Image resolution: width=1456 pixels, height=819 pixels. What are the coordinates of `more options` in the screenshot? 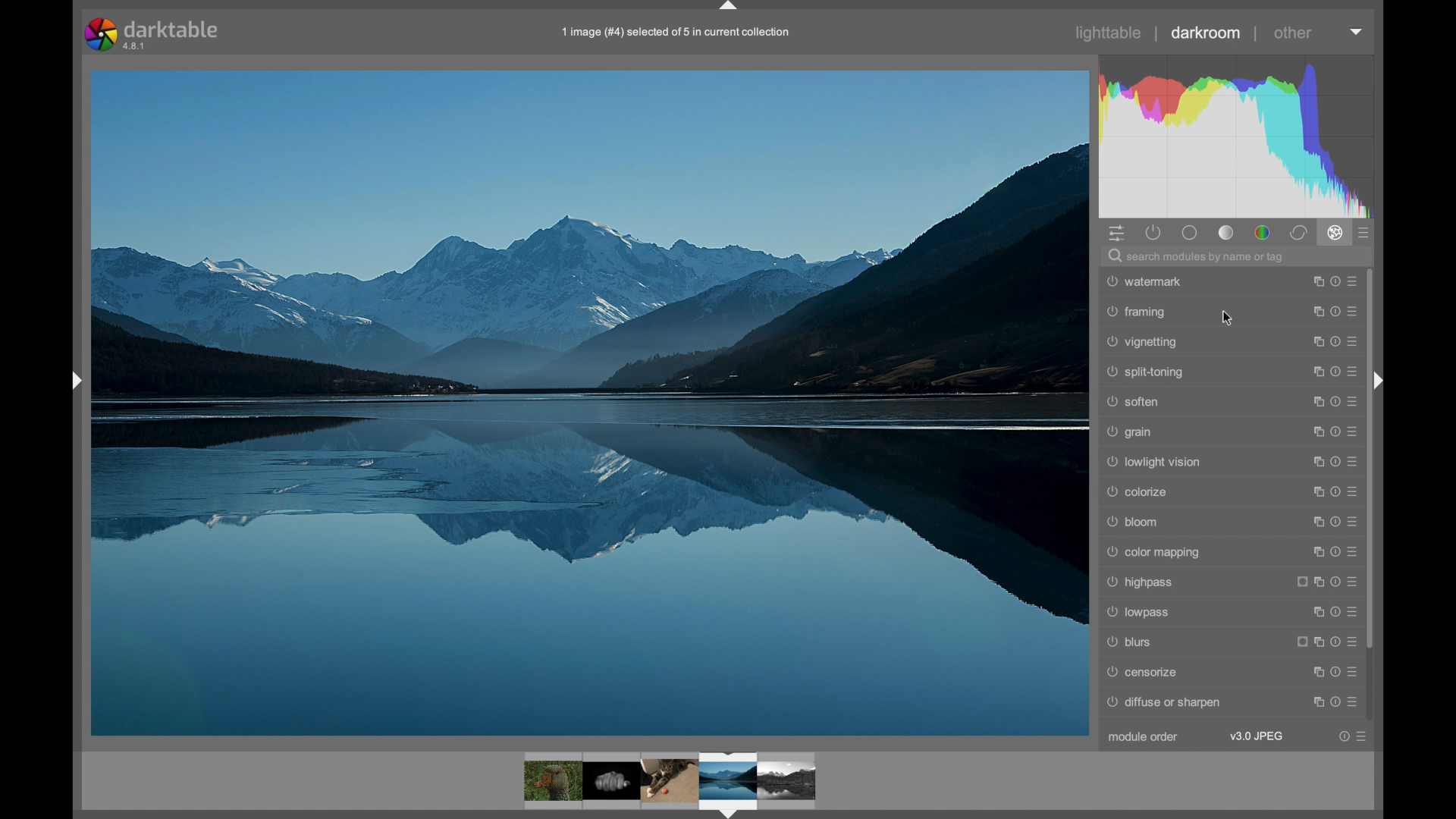 It's located at (1357, 32).